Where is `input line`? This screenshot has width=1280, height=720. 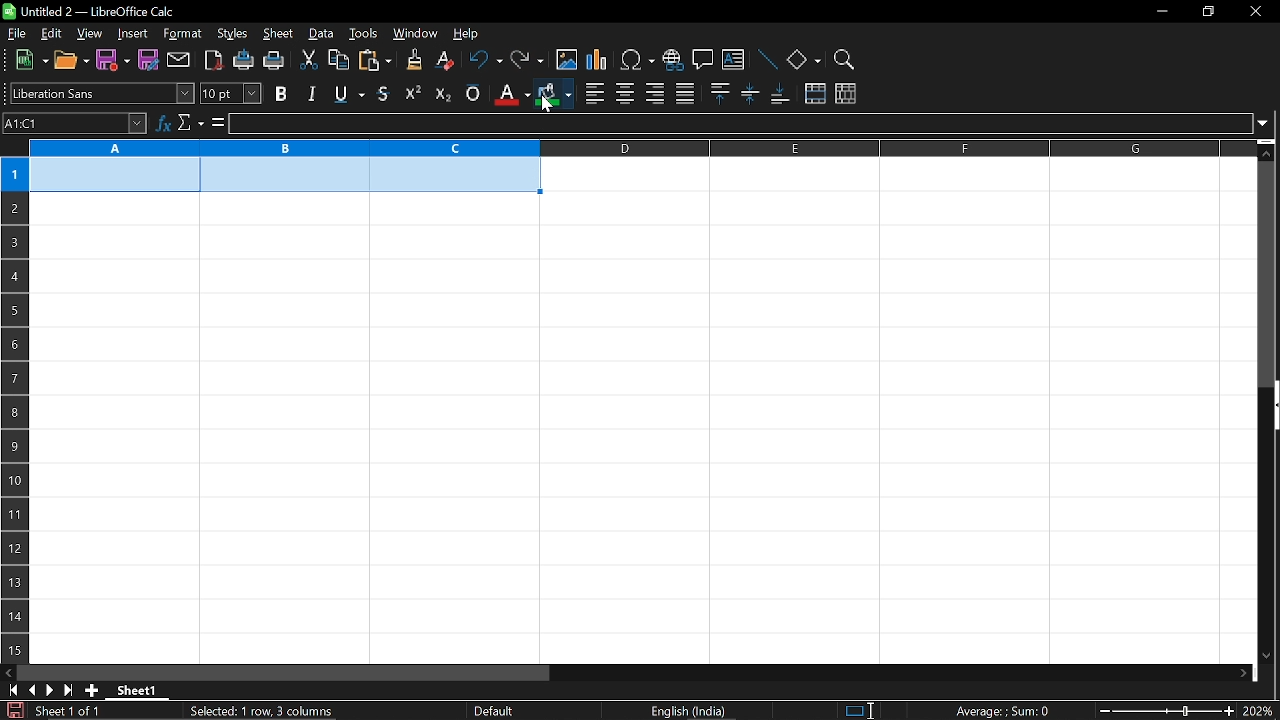 input line is located at coordinates (739, 124).